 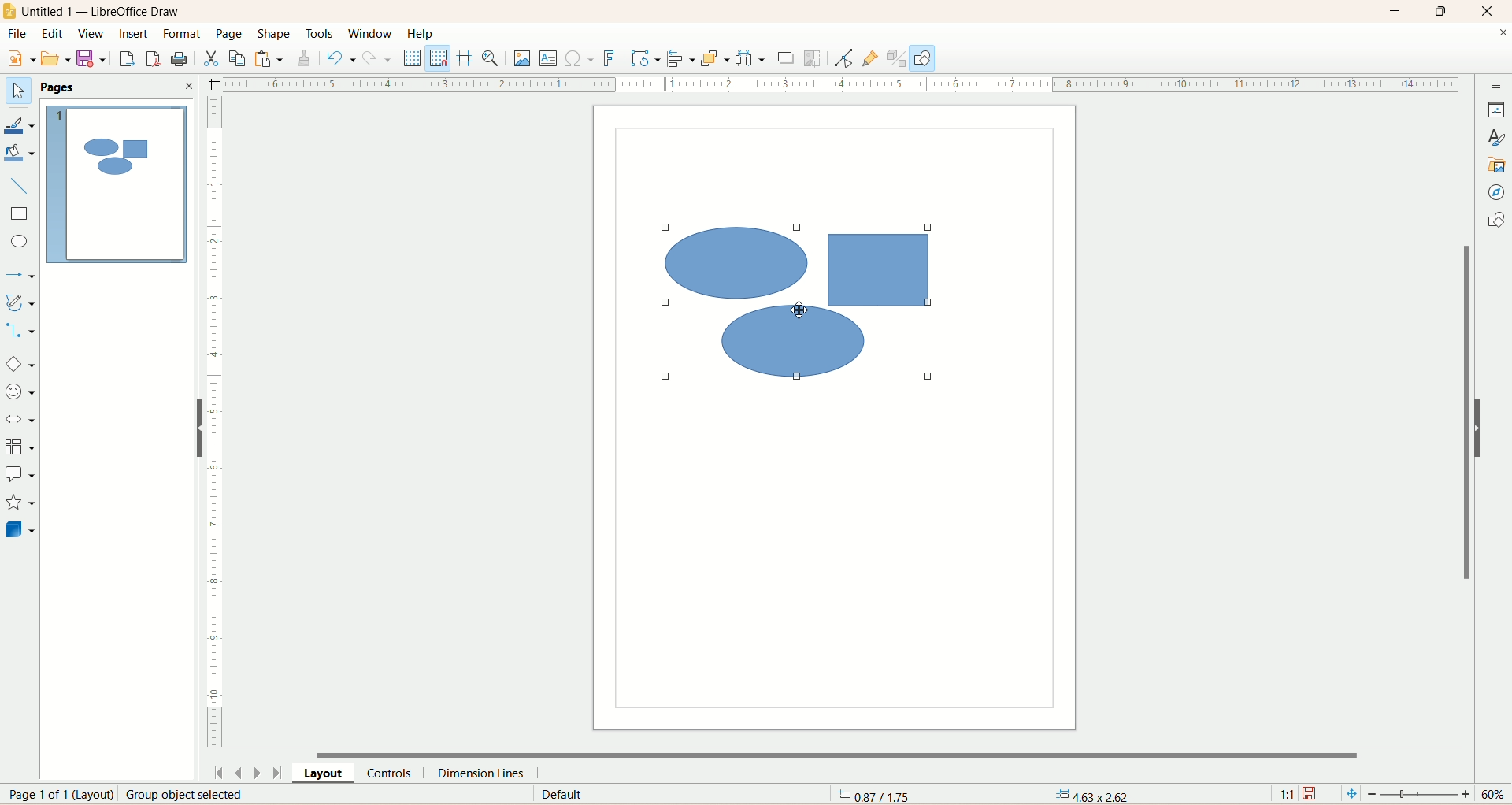 What do you see at coordinates (20, 476) in the screenshot?
I see `callout shapes` at bounding box center [20, 476].